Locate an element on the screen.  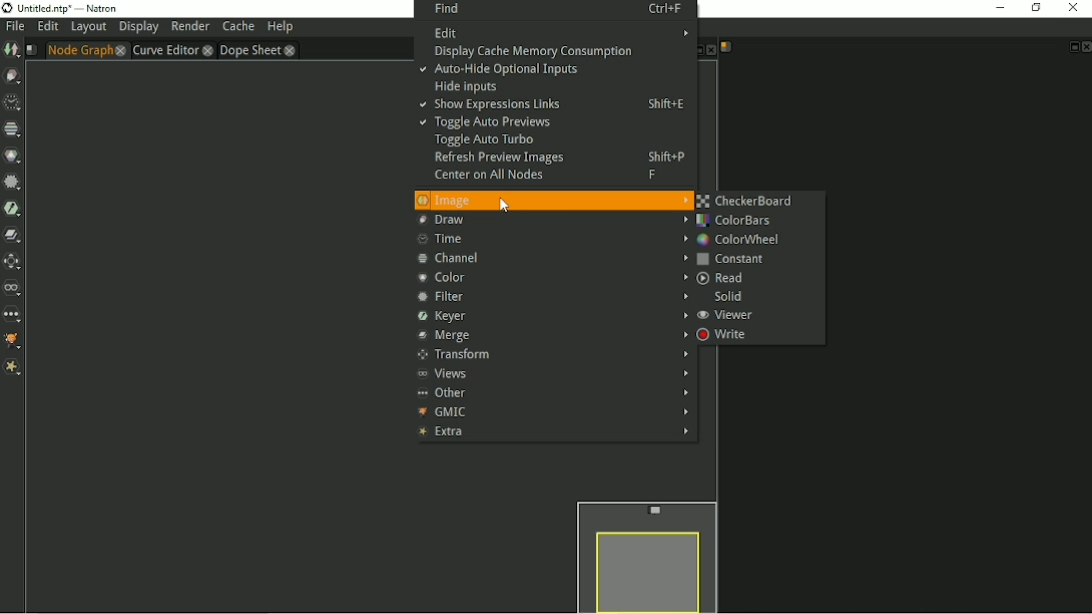
Close is located at coordinates (710, 51).